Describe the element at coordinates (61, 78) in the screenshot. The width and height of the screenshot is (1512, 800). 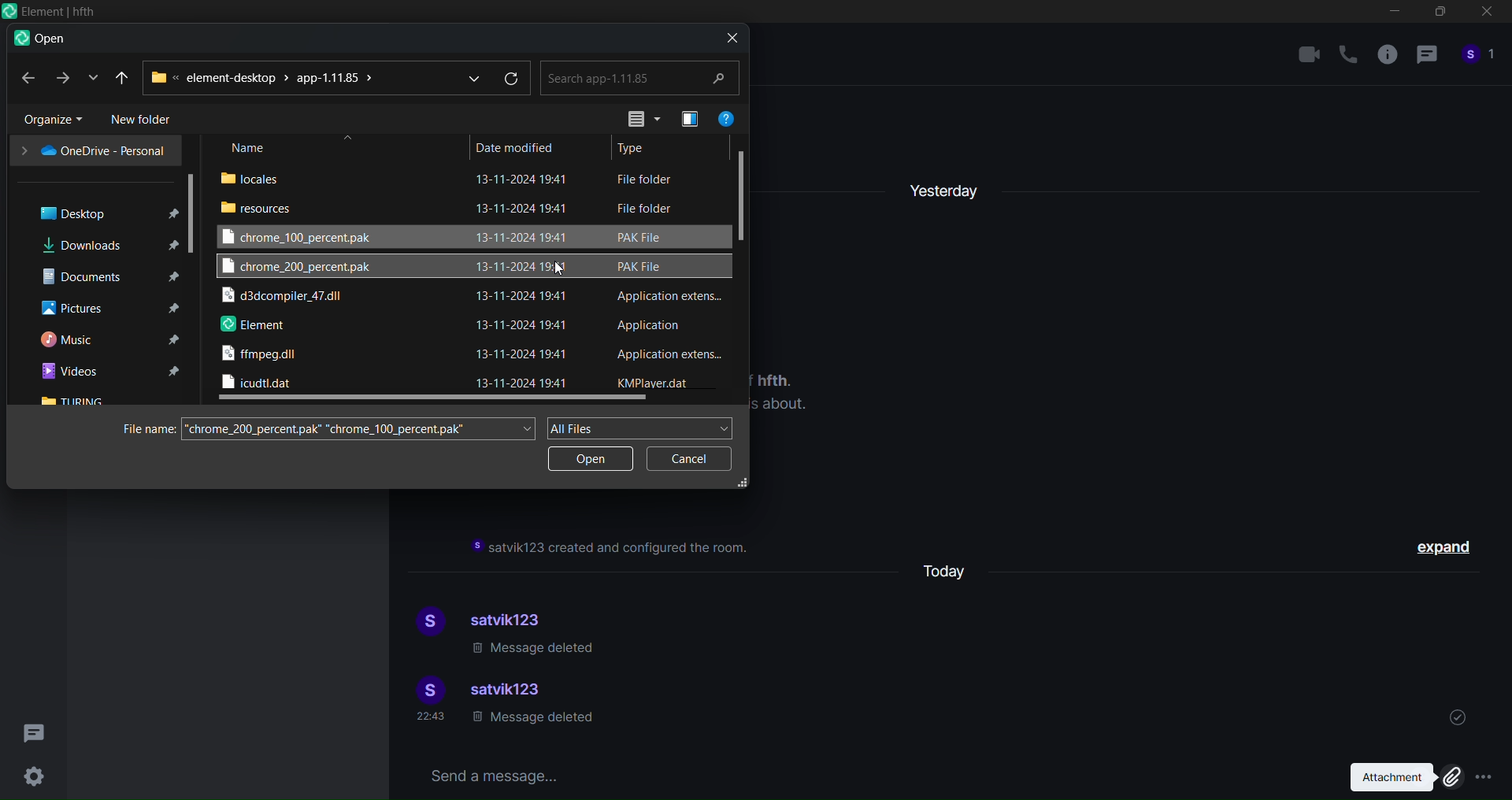
I see `forward` at that location.